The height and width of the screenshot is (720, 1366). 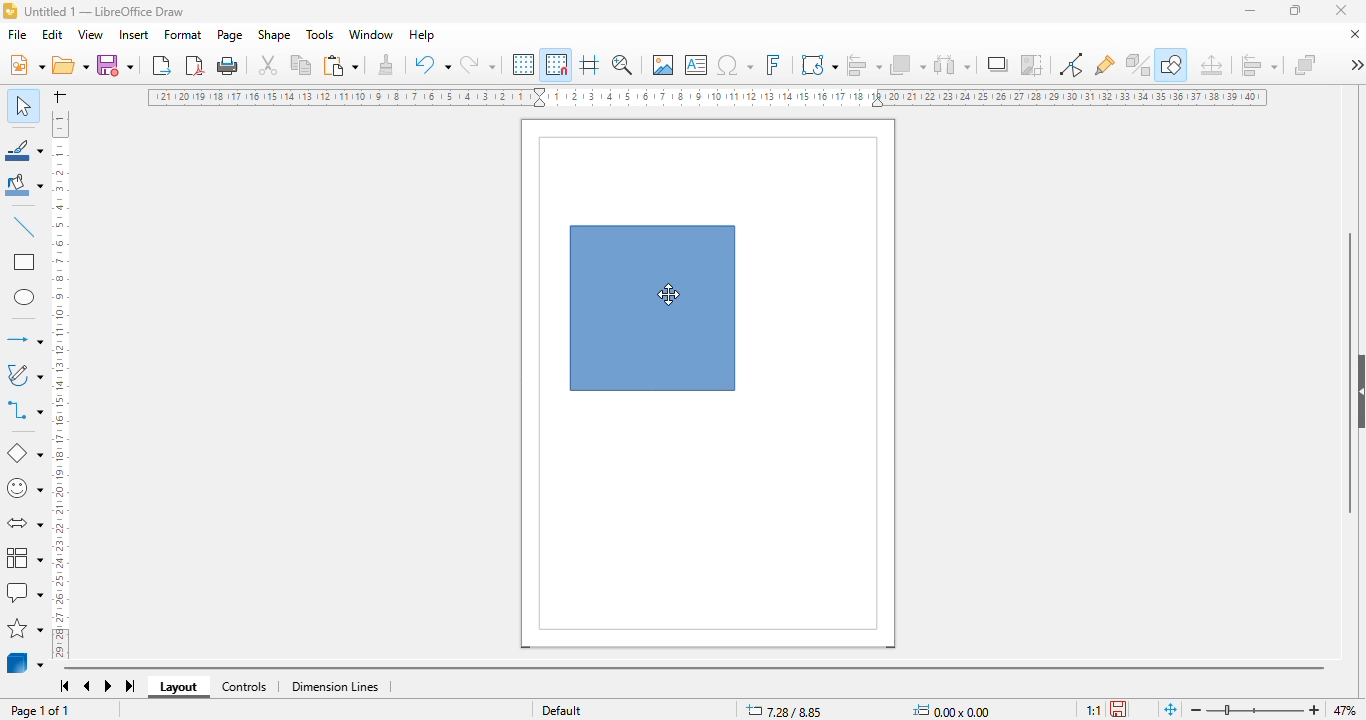 I want to click on snap to grid, so click(x=556, y=64).